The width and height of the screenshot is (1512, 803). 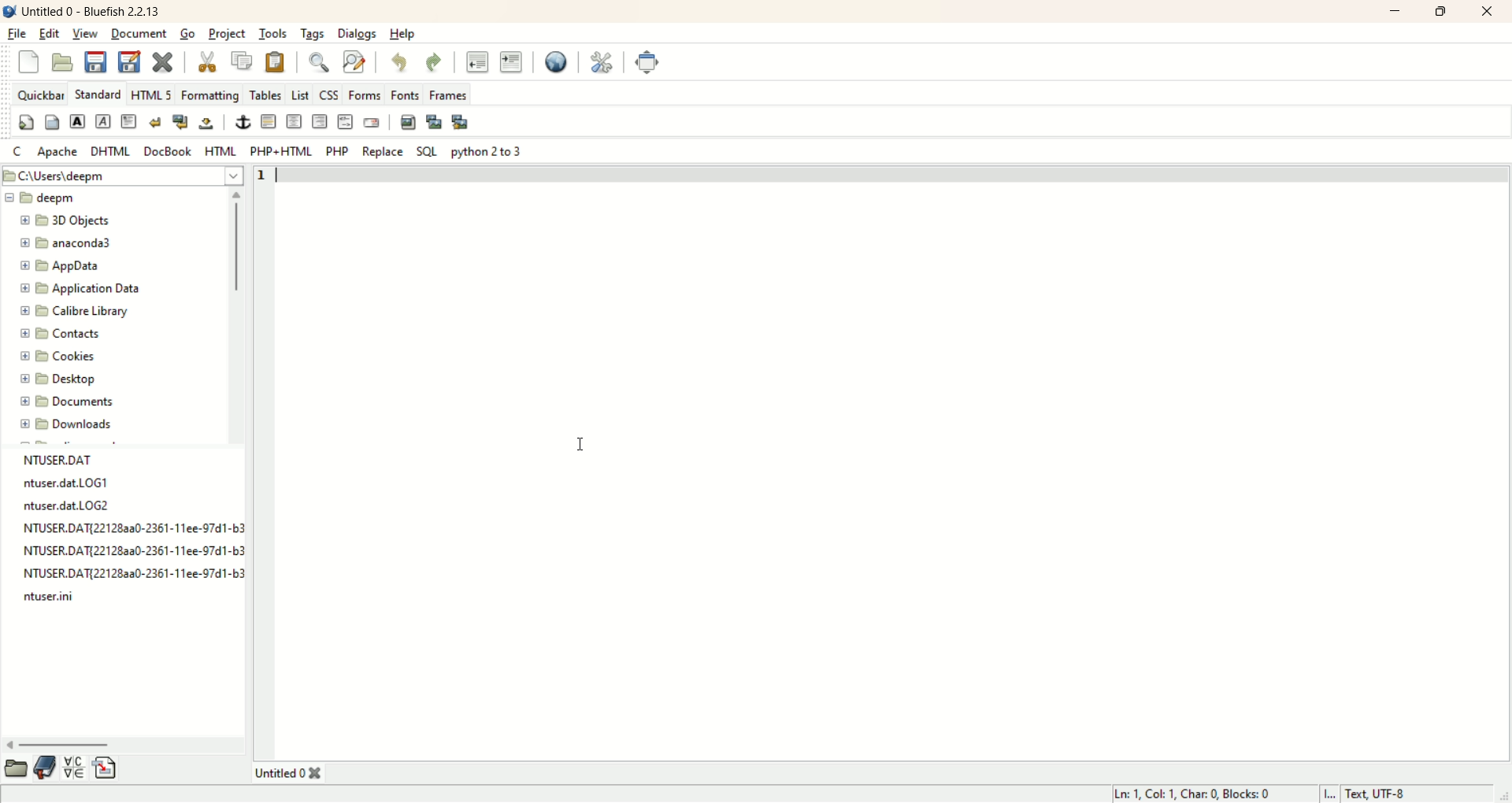 What do you see at coordinates (78, 122) in the screenshot?
I see `strong` at bounding box center [78, 122].